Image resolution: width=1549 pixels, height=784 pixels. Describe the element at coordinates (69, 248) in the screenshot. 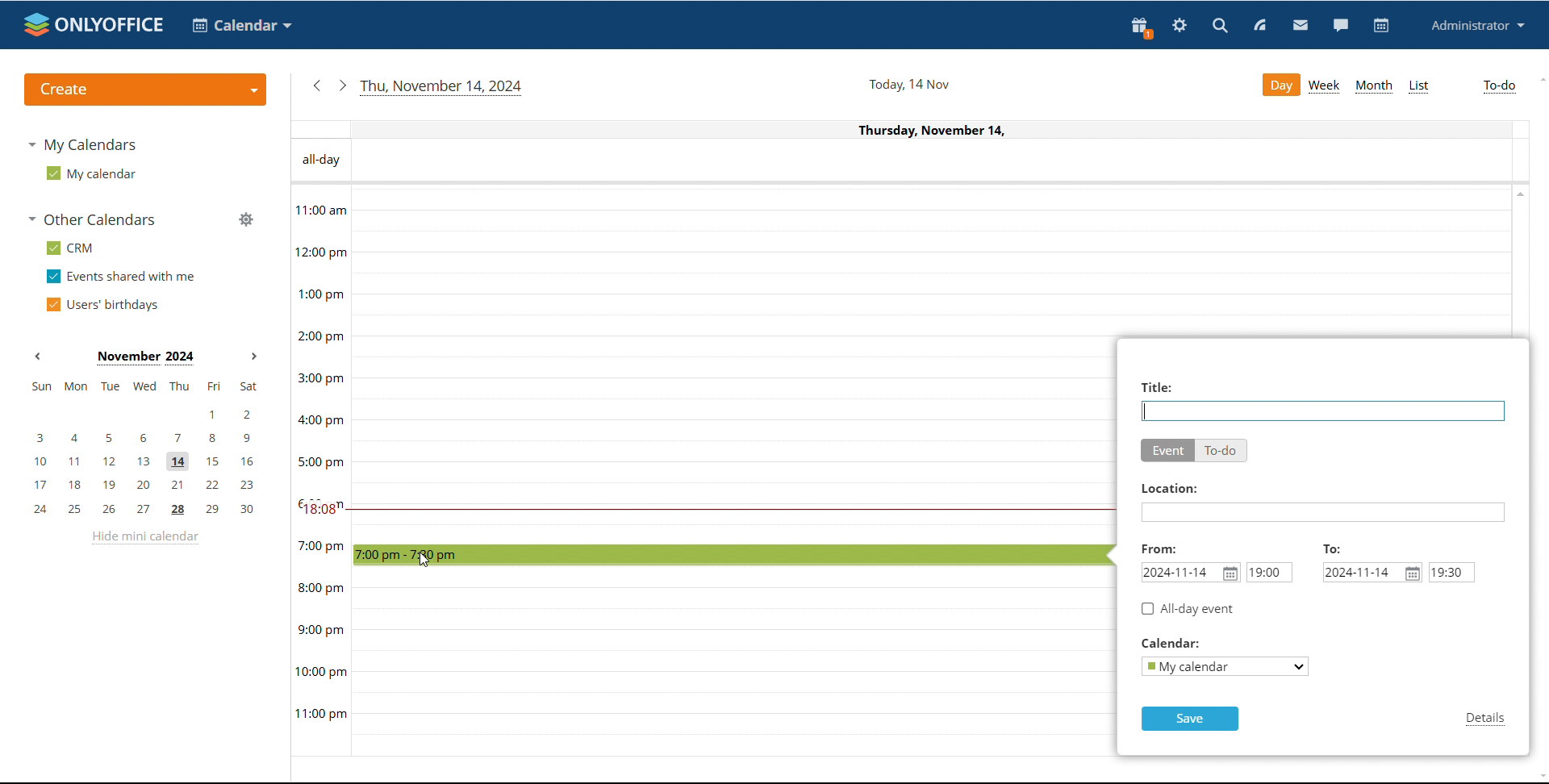

I see `crm` at that location.